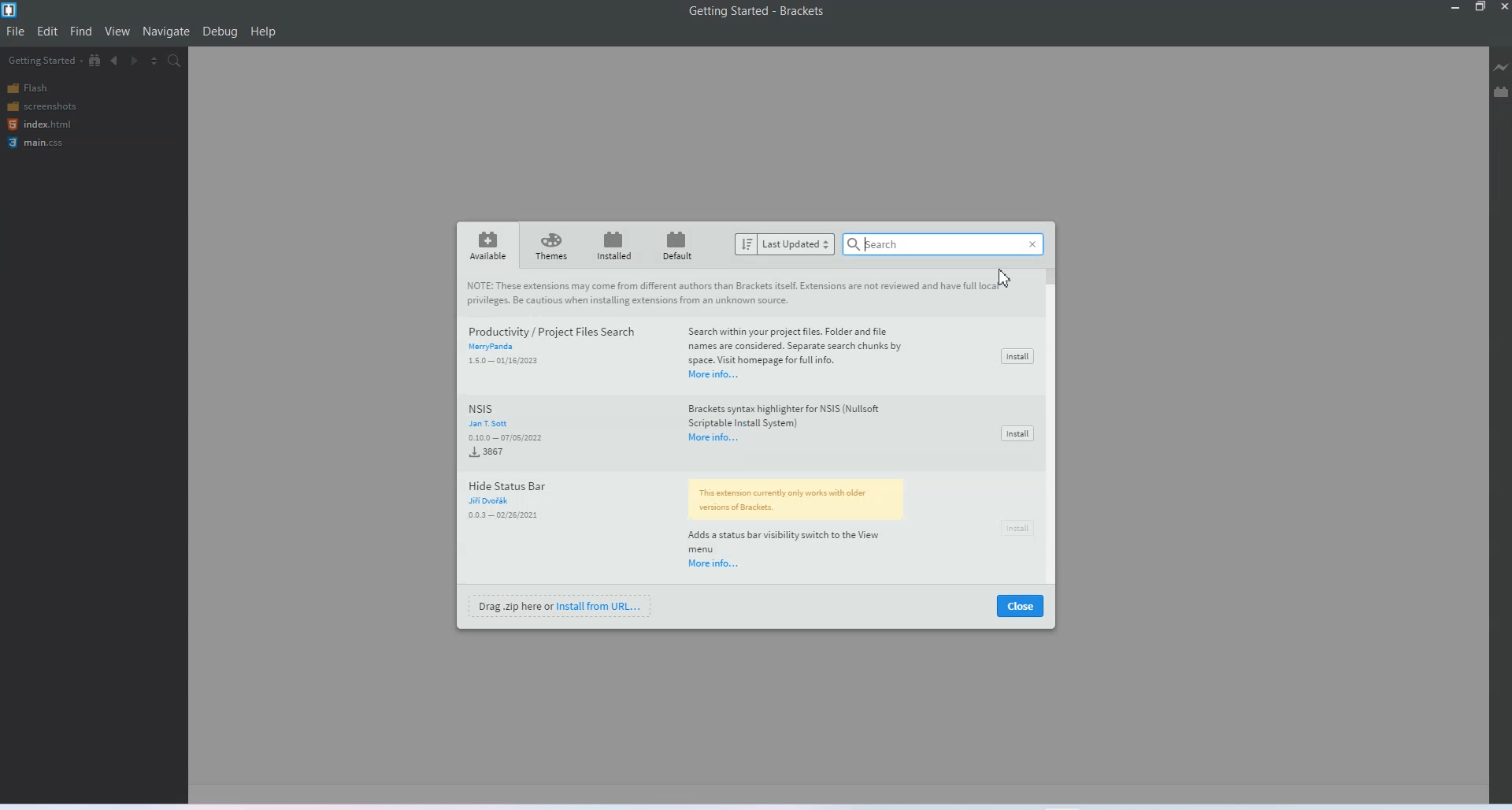 Image resolution: width=1512 pixels, height=810 pixels. I want to click on Project files search, so click(551, 330).